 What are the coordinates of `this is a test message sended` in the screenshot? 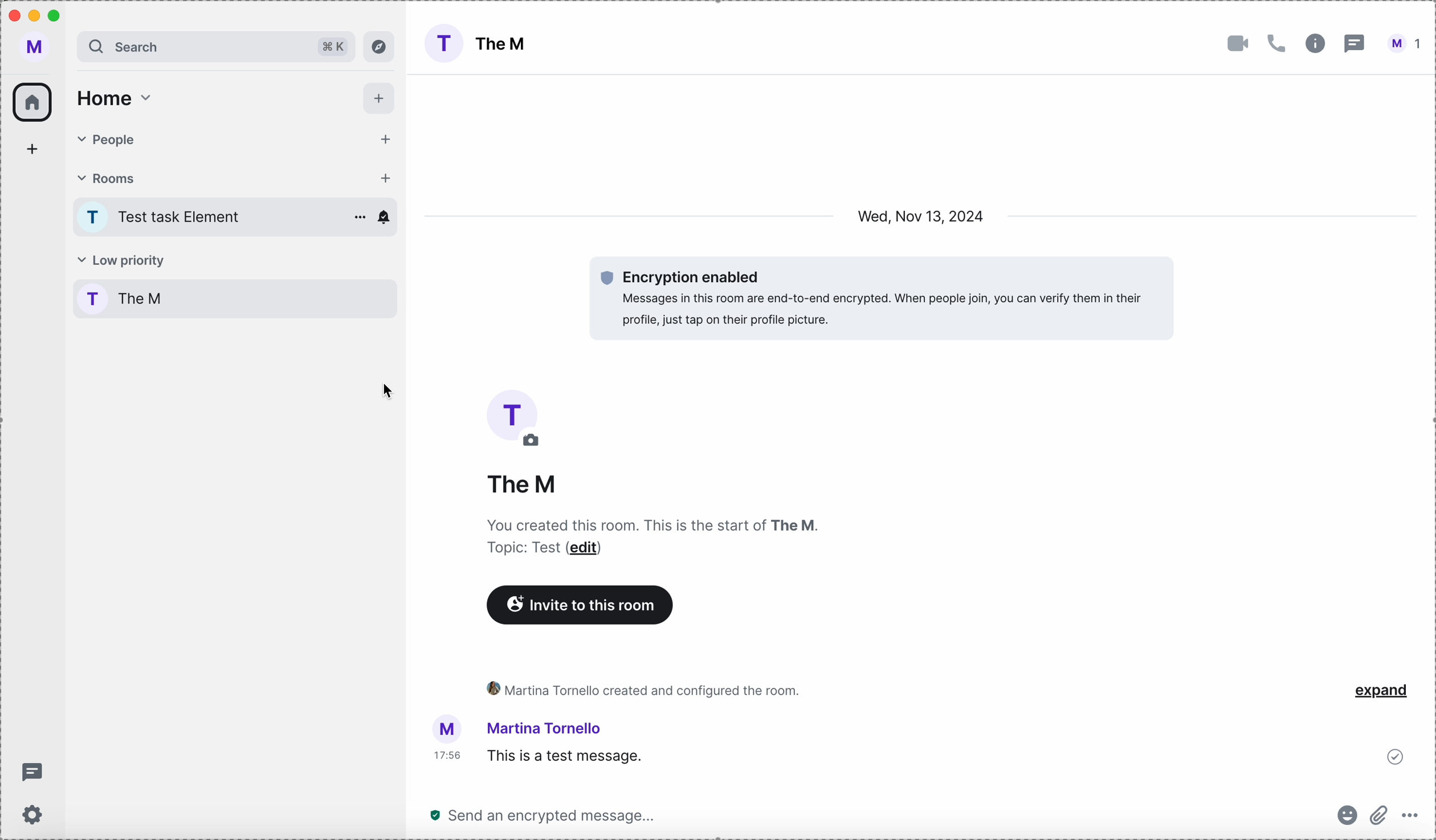 It's located at (909, 755).